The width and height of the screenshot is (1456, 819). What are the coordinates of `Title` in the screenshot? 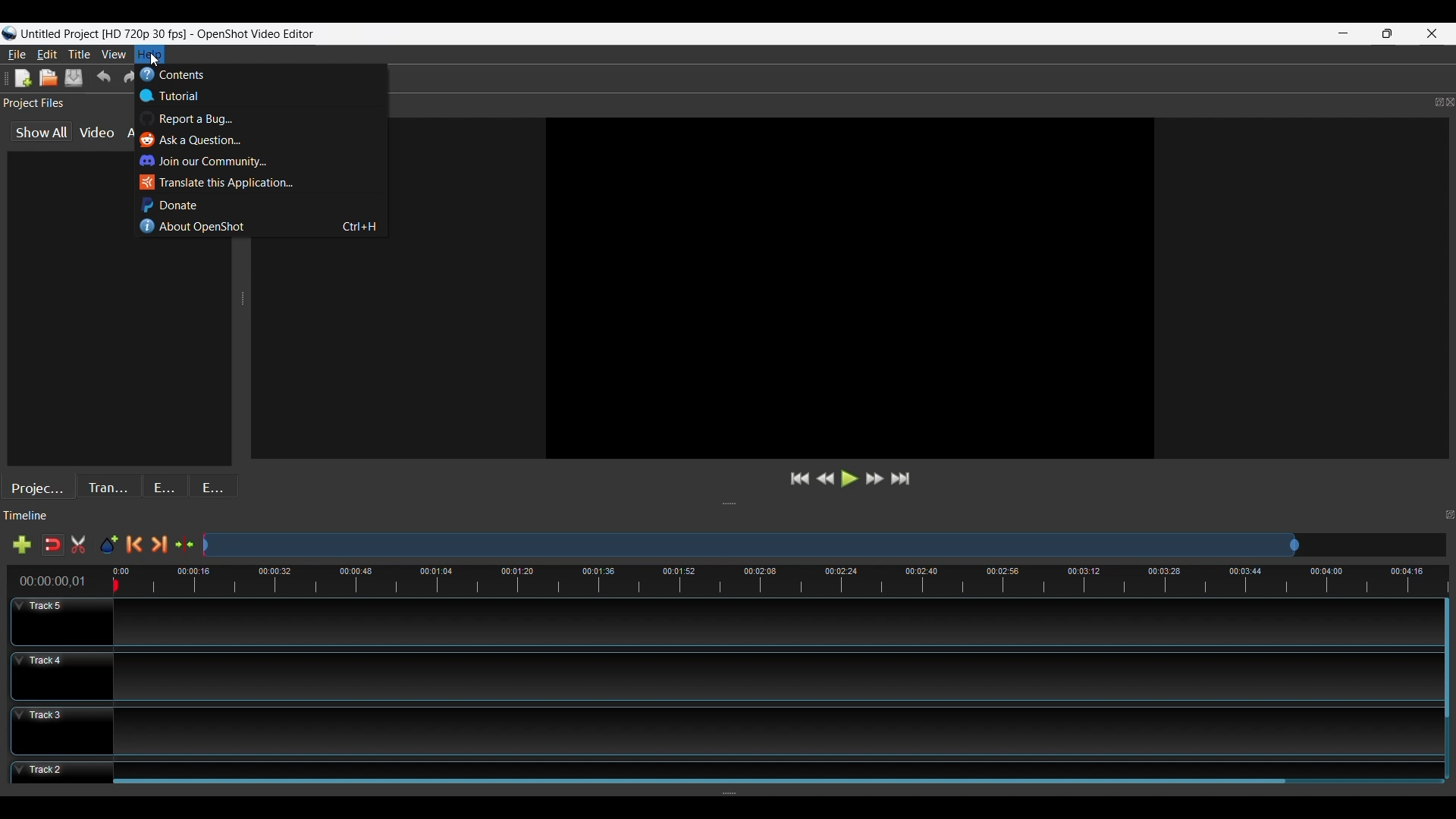 It's located at (79, 55).